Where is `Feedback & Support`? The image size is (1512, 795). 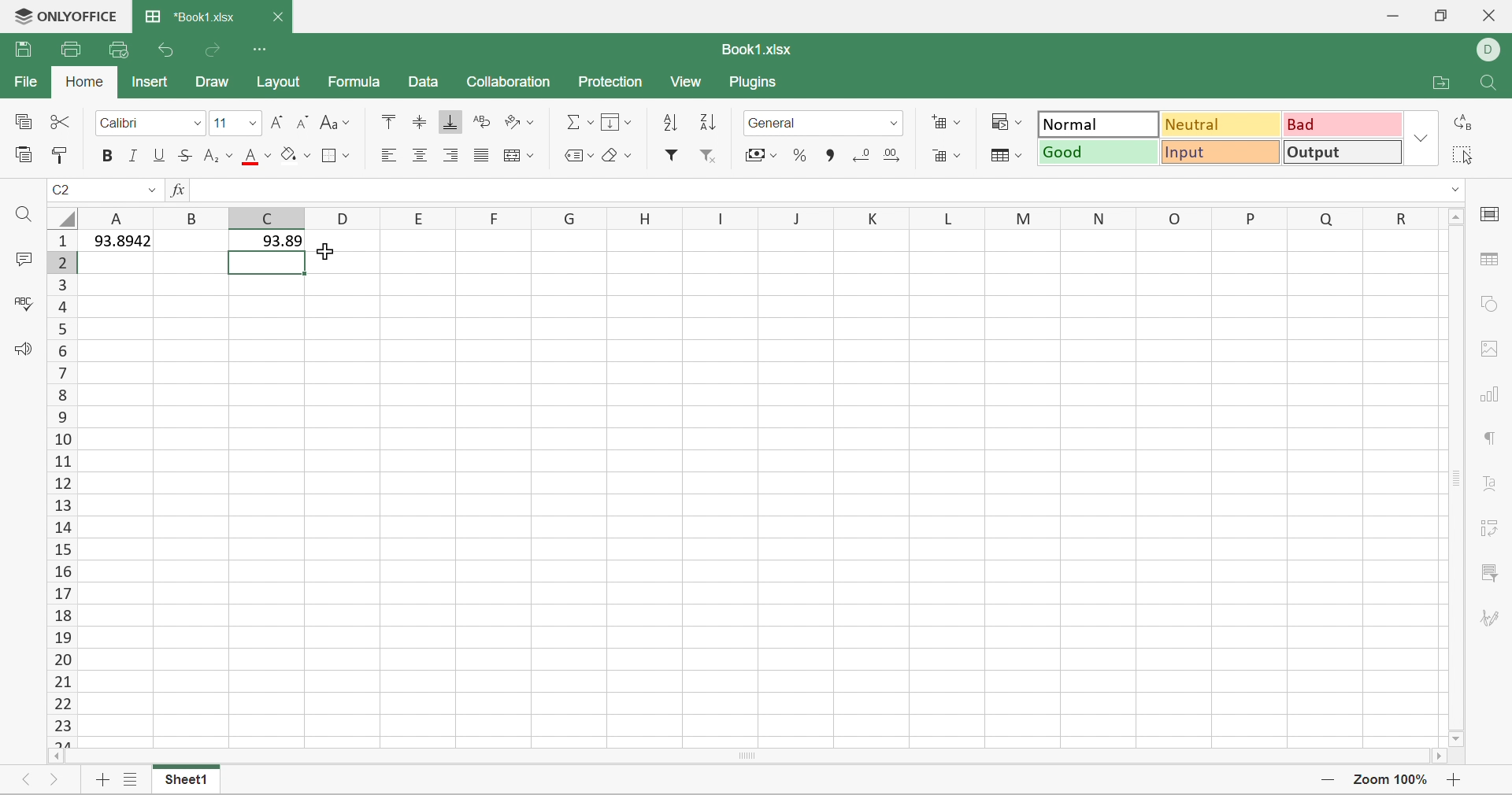
Feedback & Support is located at coordinates (27, 350).